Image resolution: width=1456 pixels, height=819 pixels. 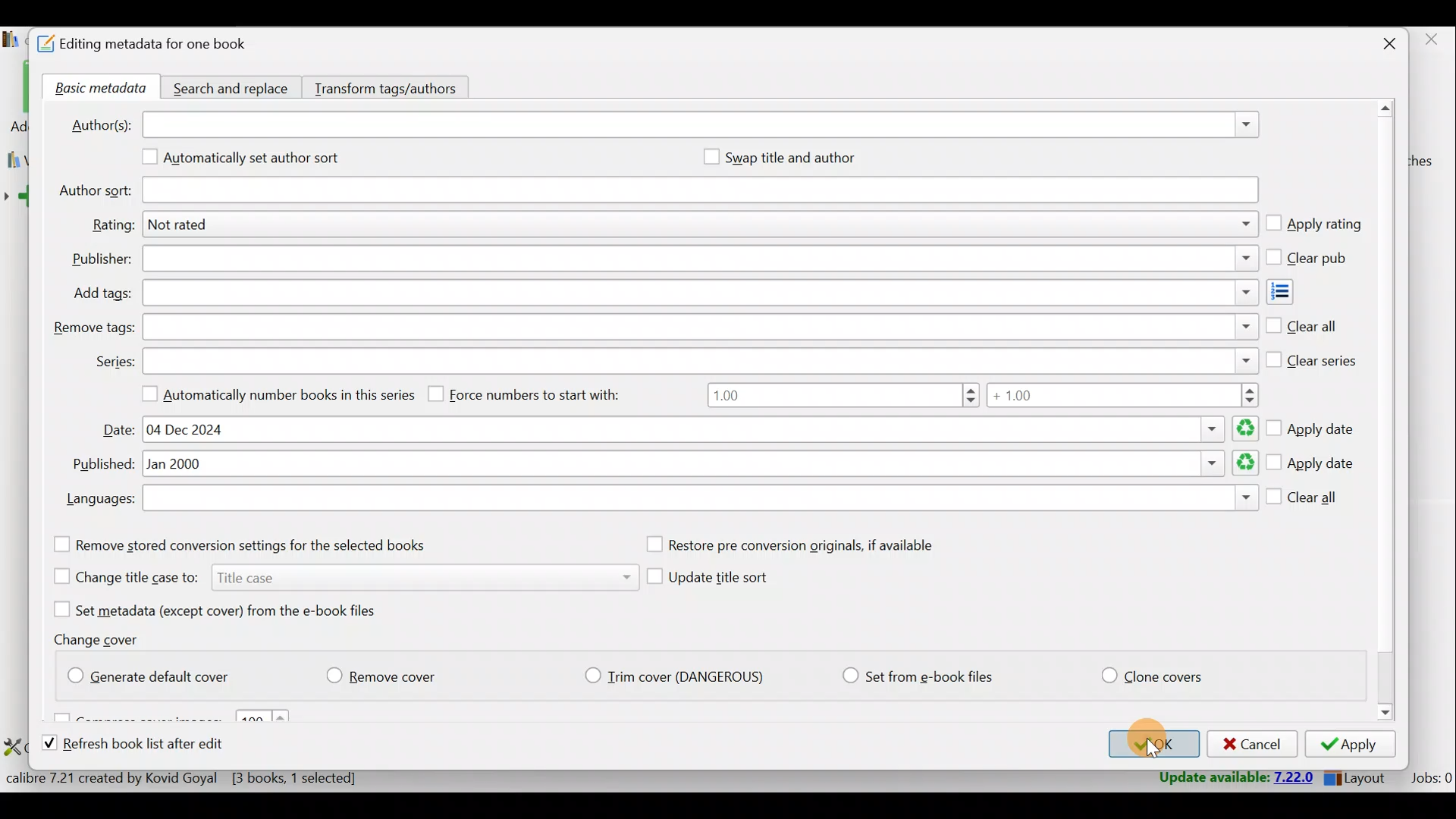 What do you see at coordinates (114, 362) in the screenshot?
I see `Series:` at bounding box center [114, 362].